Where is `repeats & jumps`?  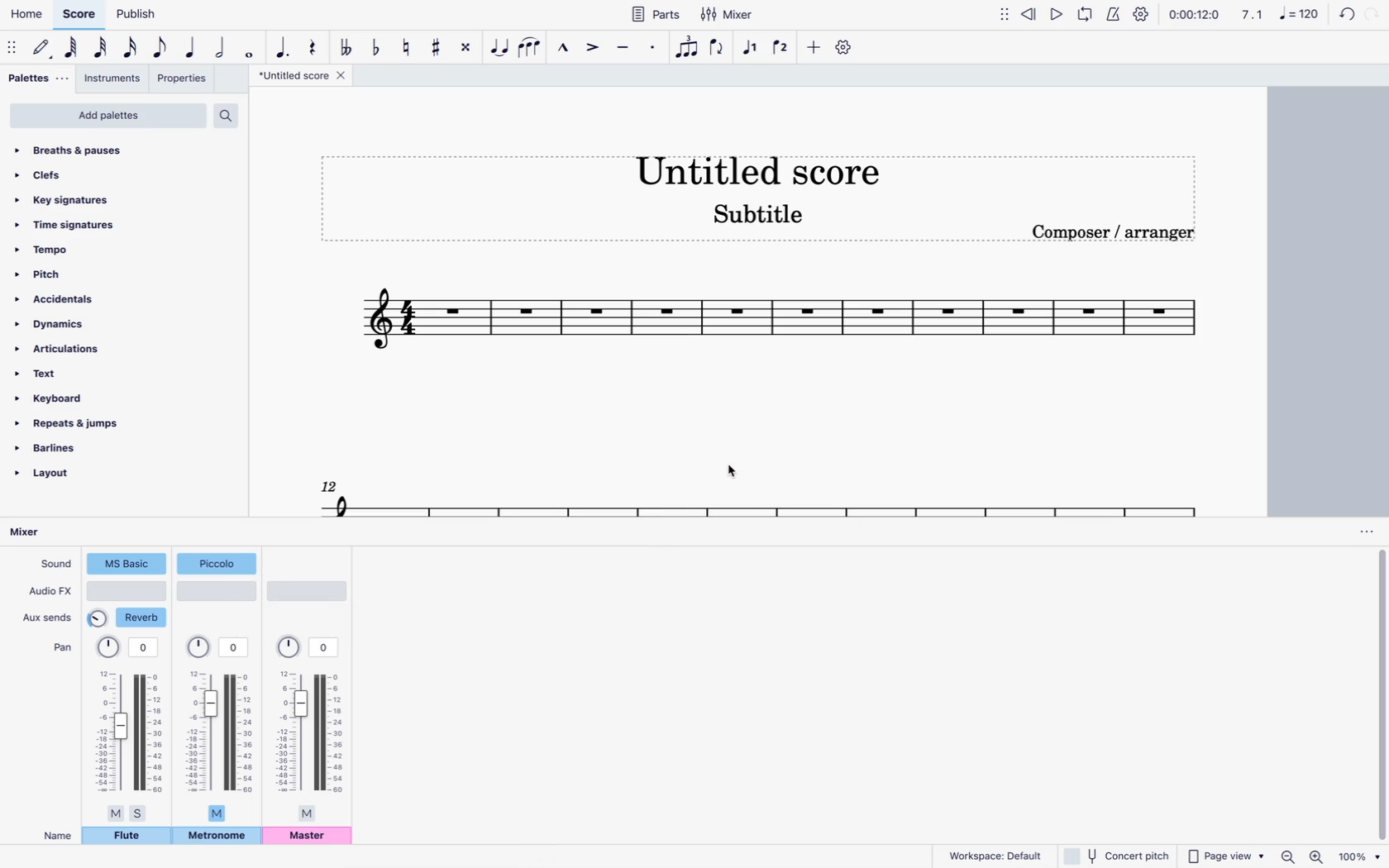 repeats & jumps is located at coordinates (83, 423).